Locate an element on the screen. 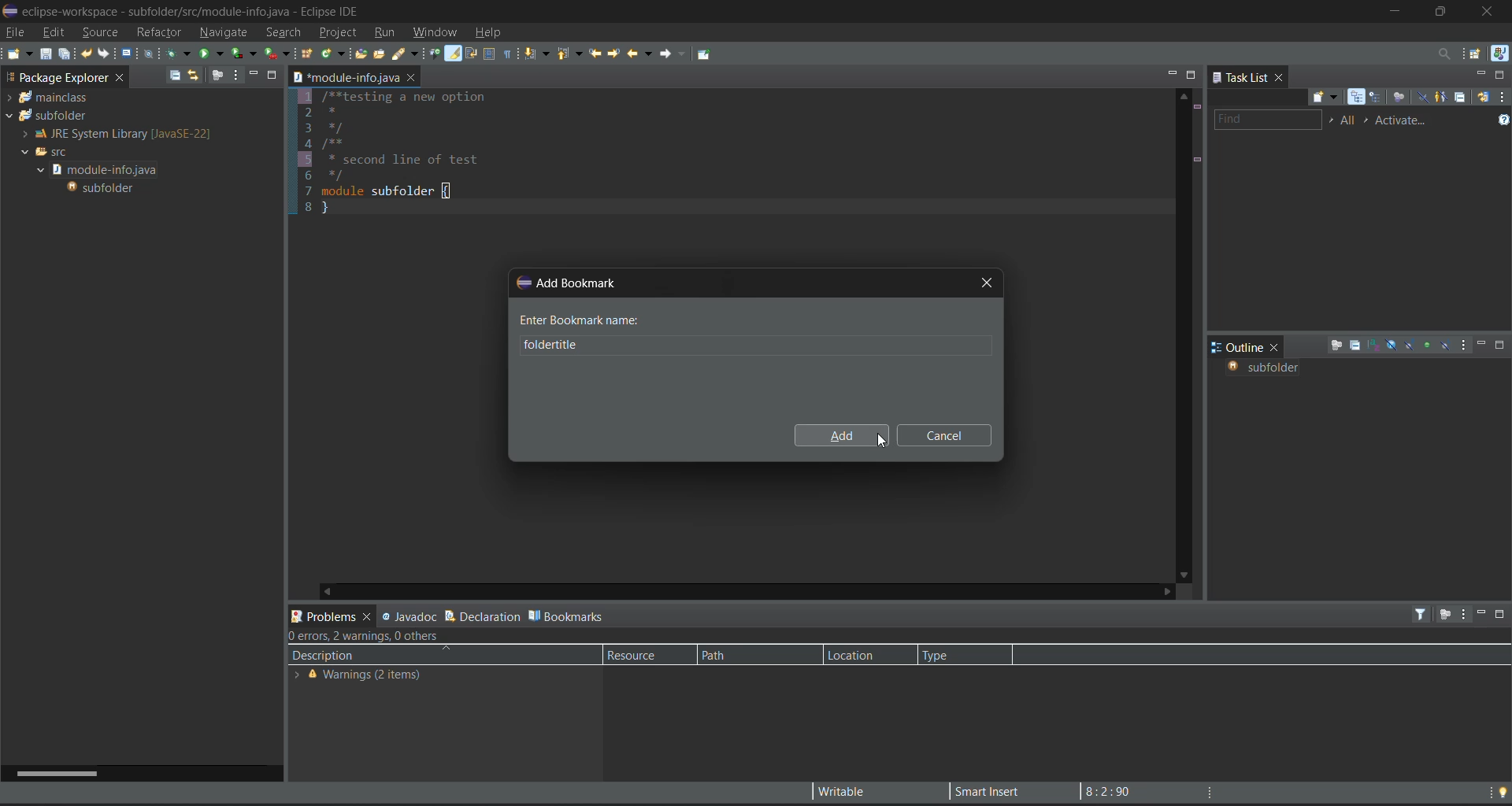  foldertitle is located at coordinates (538, 346).